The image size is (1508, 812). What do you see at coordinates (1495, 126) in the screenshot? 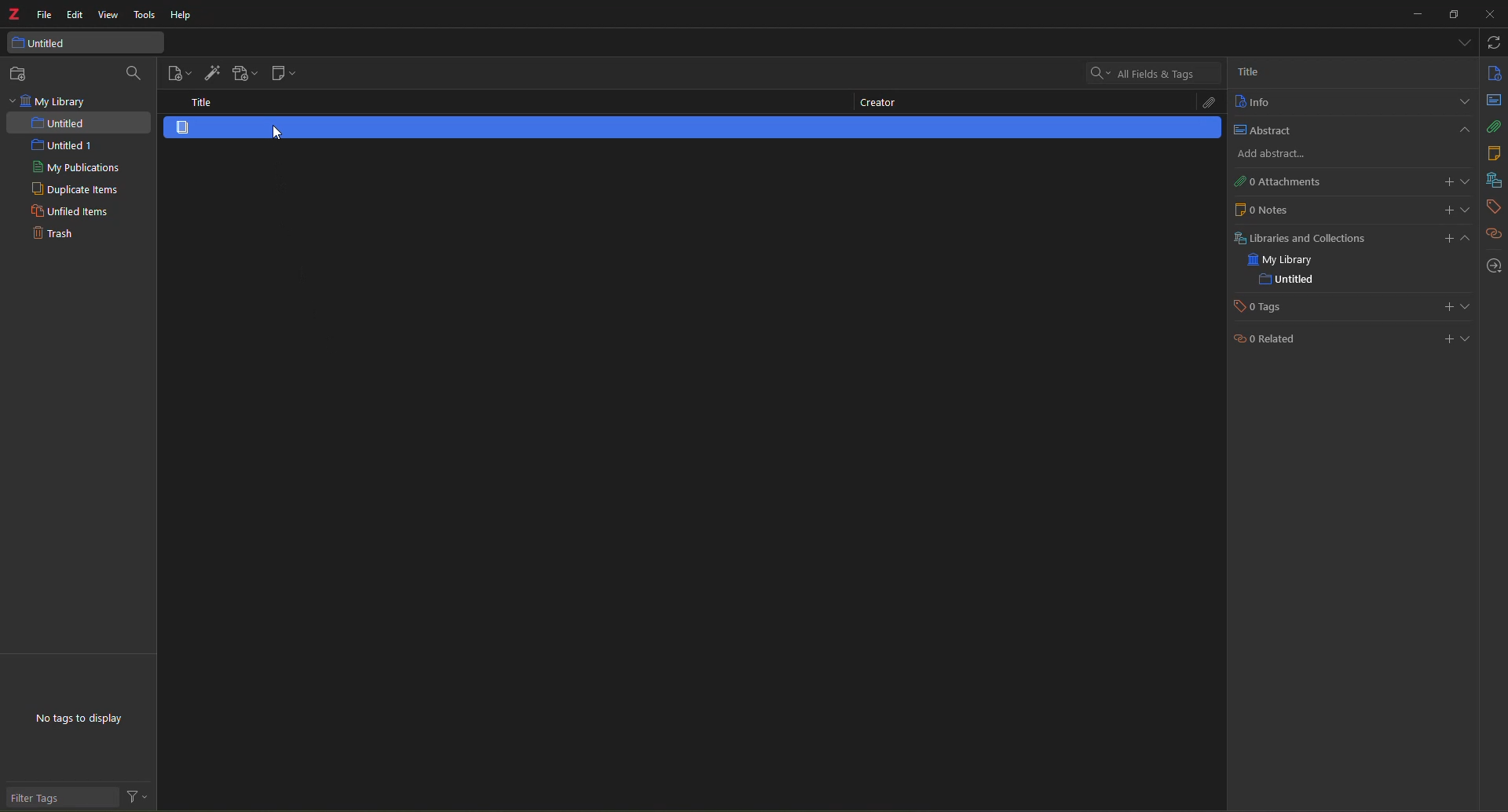
I see `attach` at bounding box center [1495, 126].